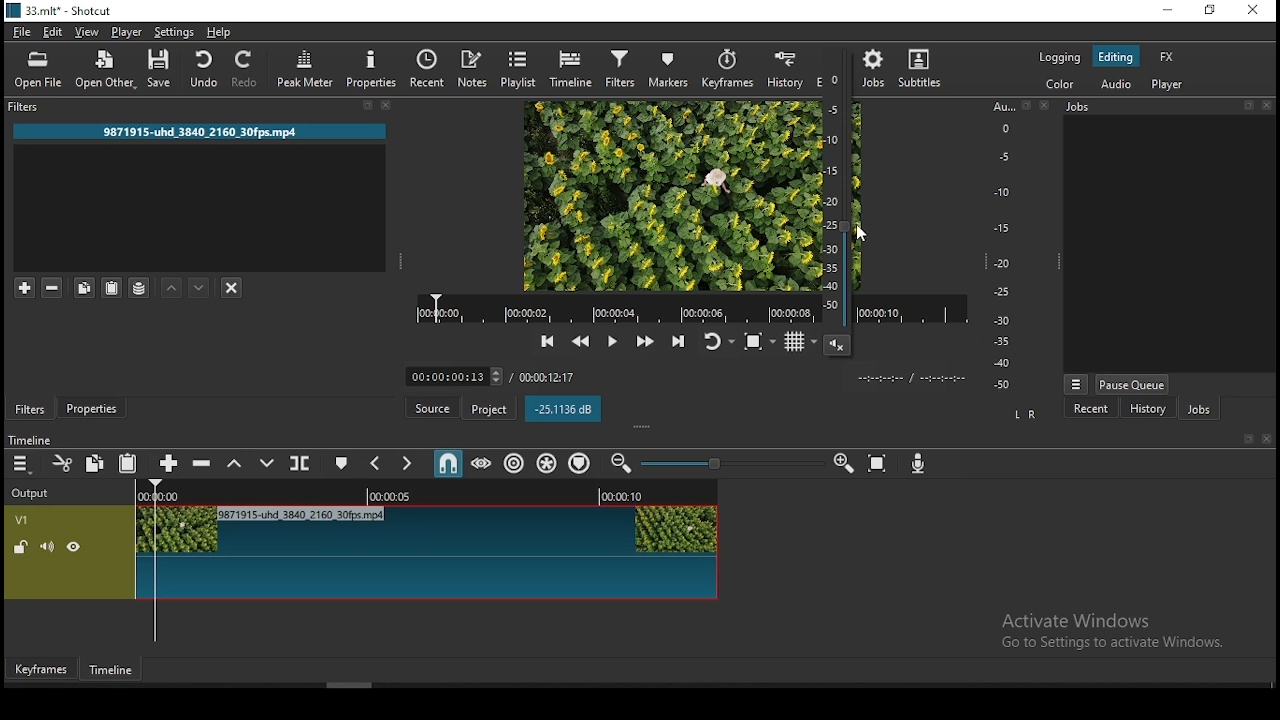 This screenshot has height=720, width=1280. I want to click on paste, so click(127, 462).